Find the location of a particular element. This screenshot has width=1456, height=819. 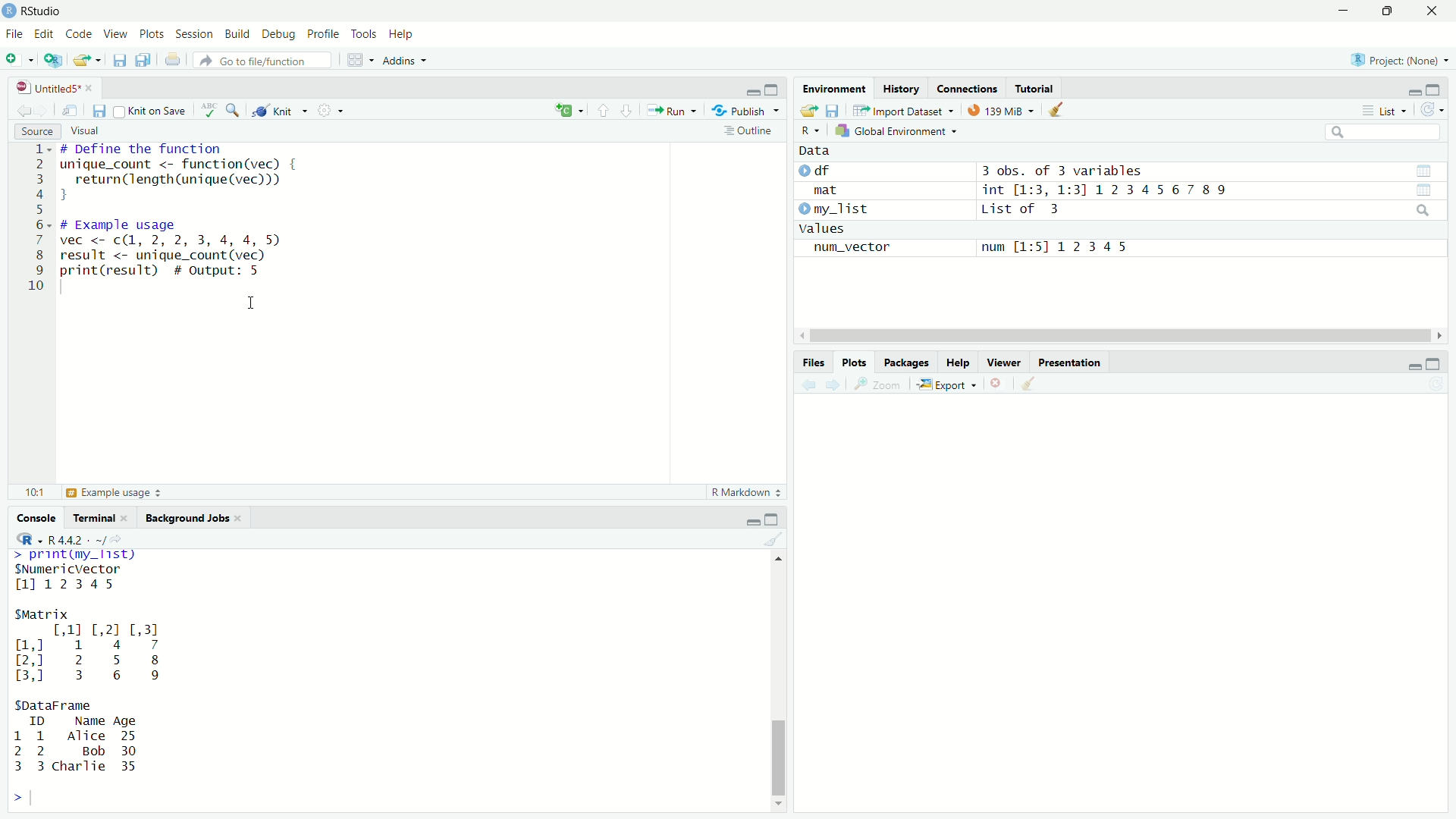

R Markdown is located at coordinates (742, 494).